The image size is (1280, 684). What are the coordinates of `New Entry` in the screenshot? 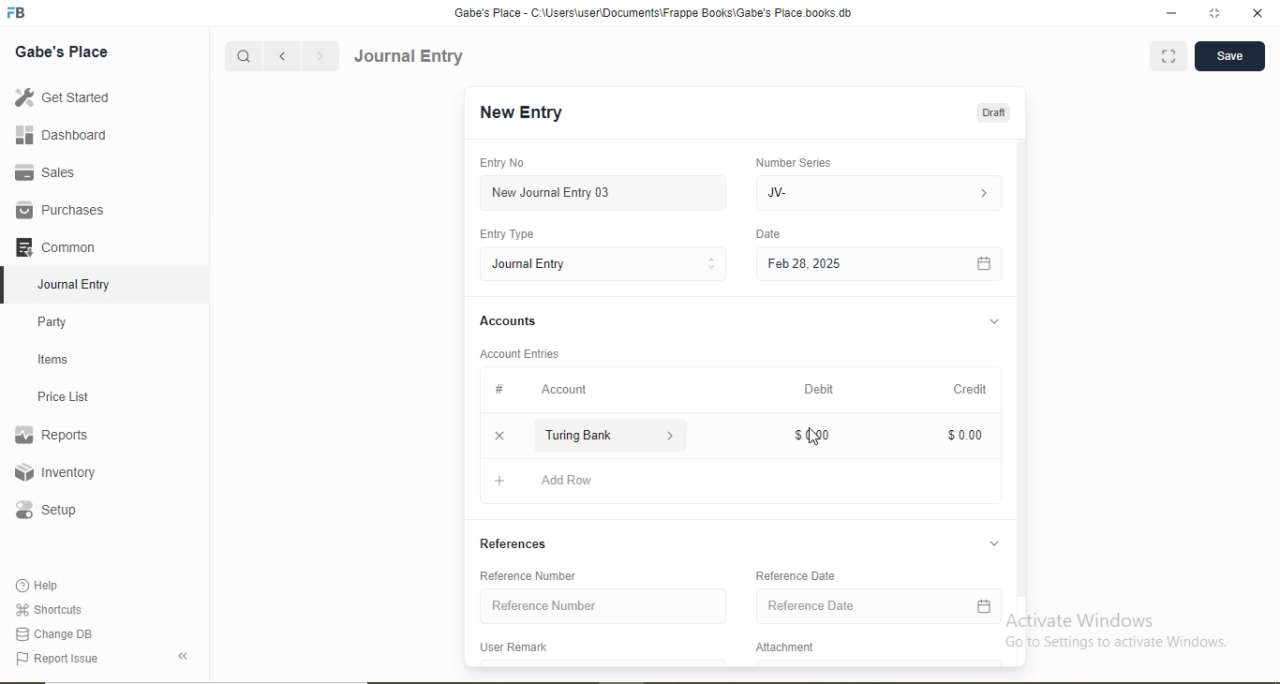 It's located at (520, 113).